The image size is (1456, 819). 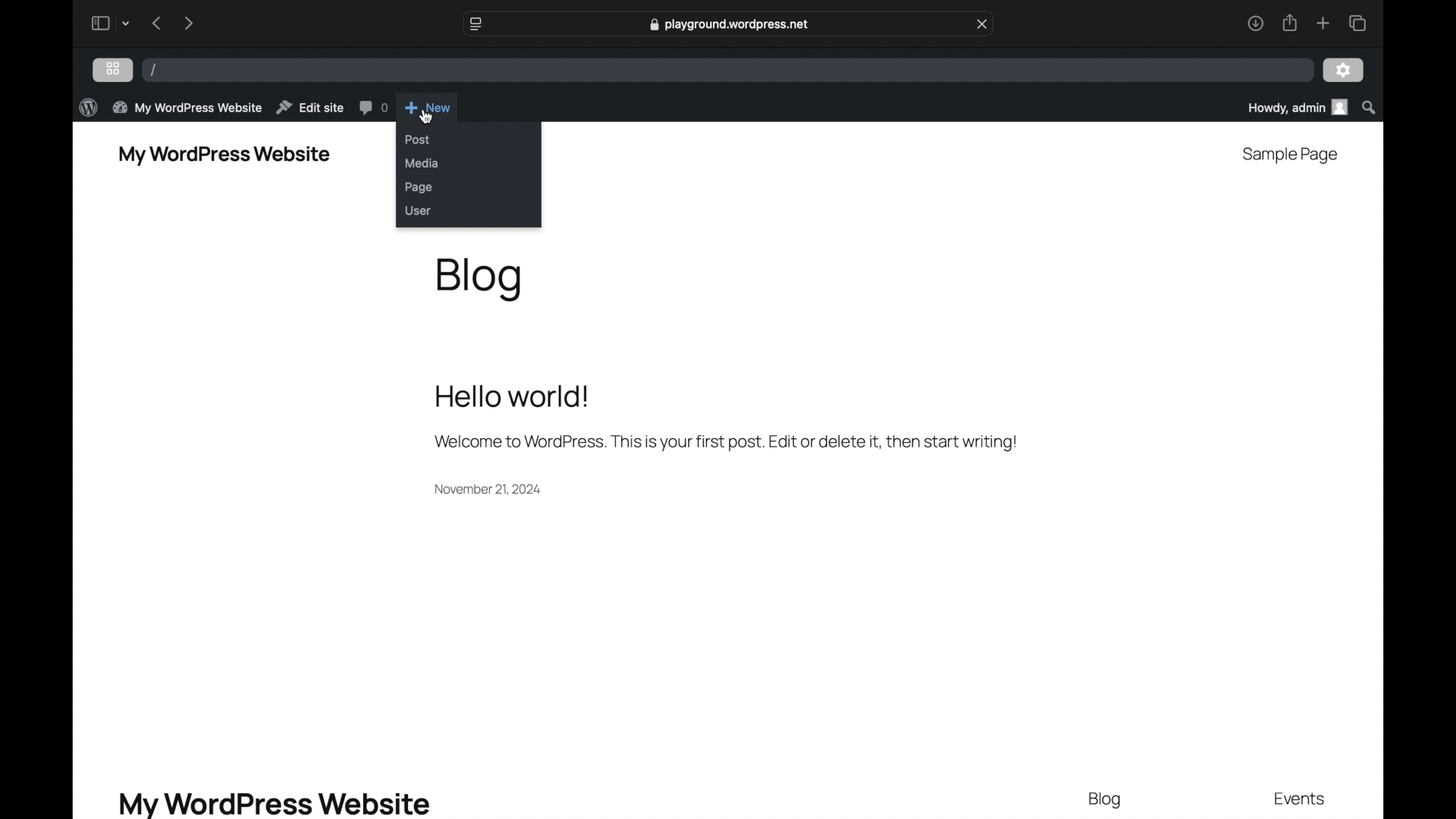 I want to click on media, so click(x=423, y=164).